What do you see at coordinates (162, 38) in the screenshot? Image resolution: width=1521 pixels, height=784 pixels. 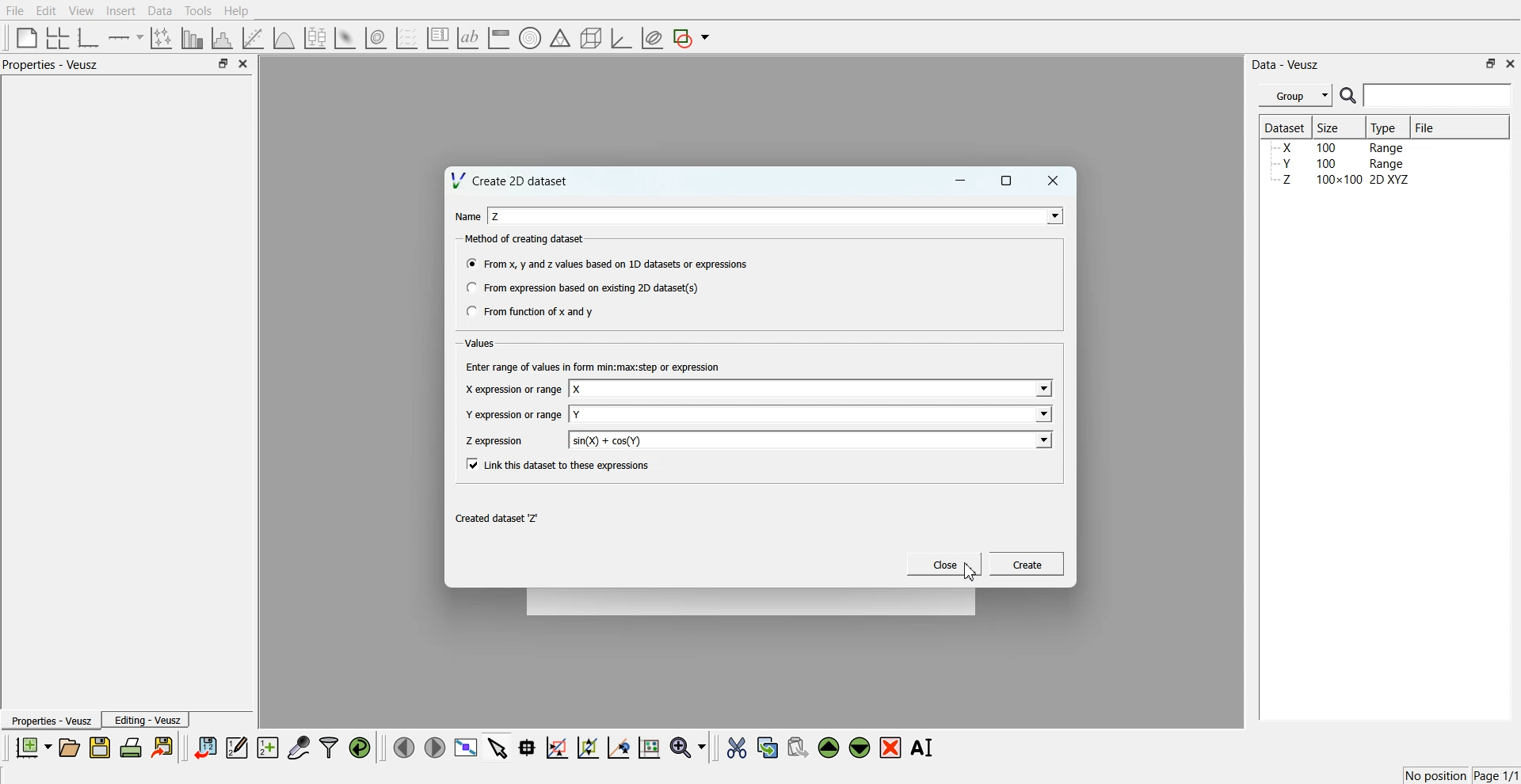 I see `Plot points with lines` at bounding box center [162, 38].